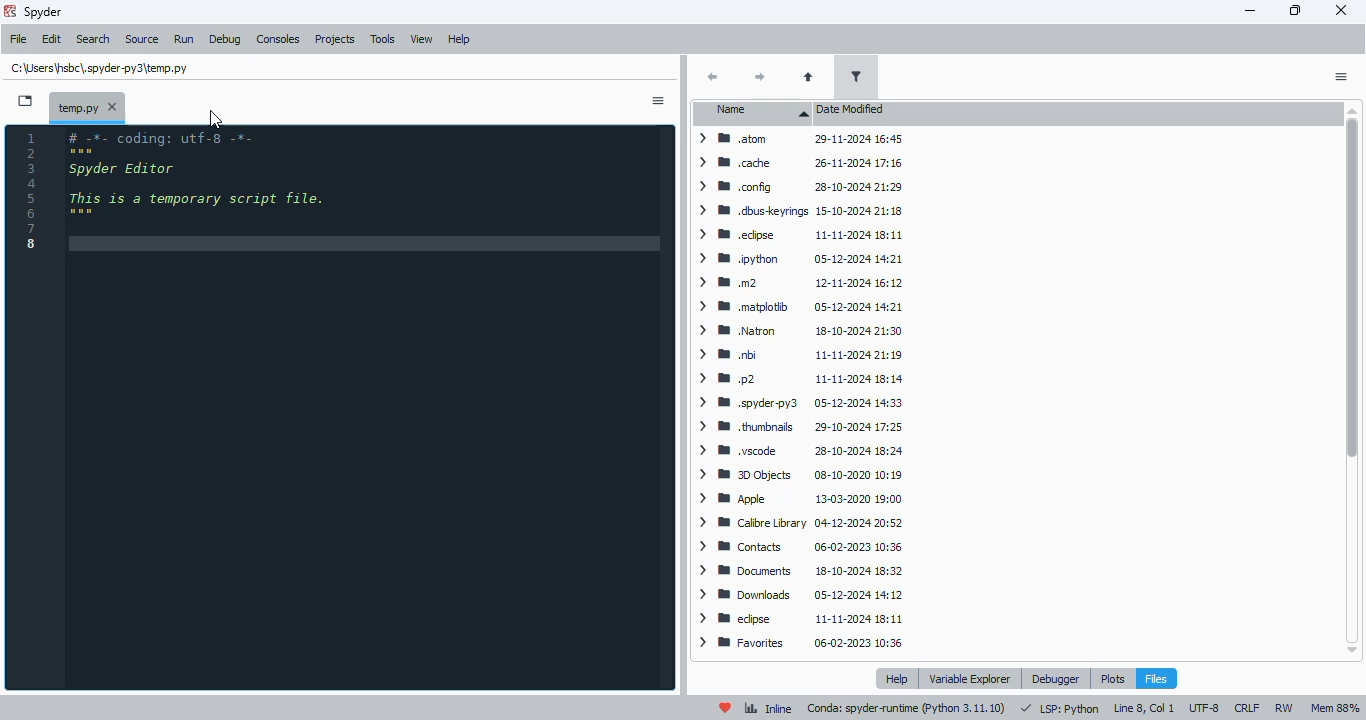 The width and height of the screenshot is (1366, 720). What do you see at coordinates (26, 100) in the screenshot?
I see `browse tabs` at bounding box center [26, 100].